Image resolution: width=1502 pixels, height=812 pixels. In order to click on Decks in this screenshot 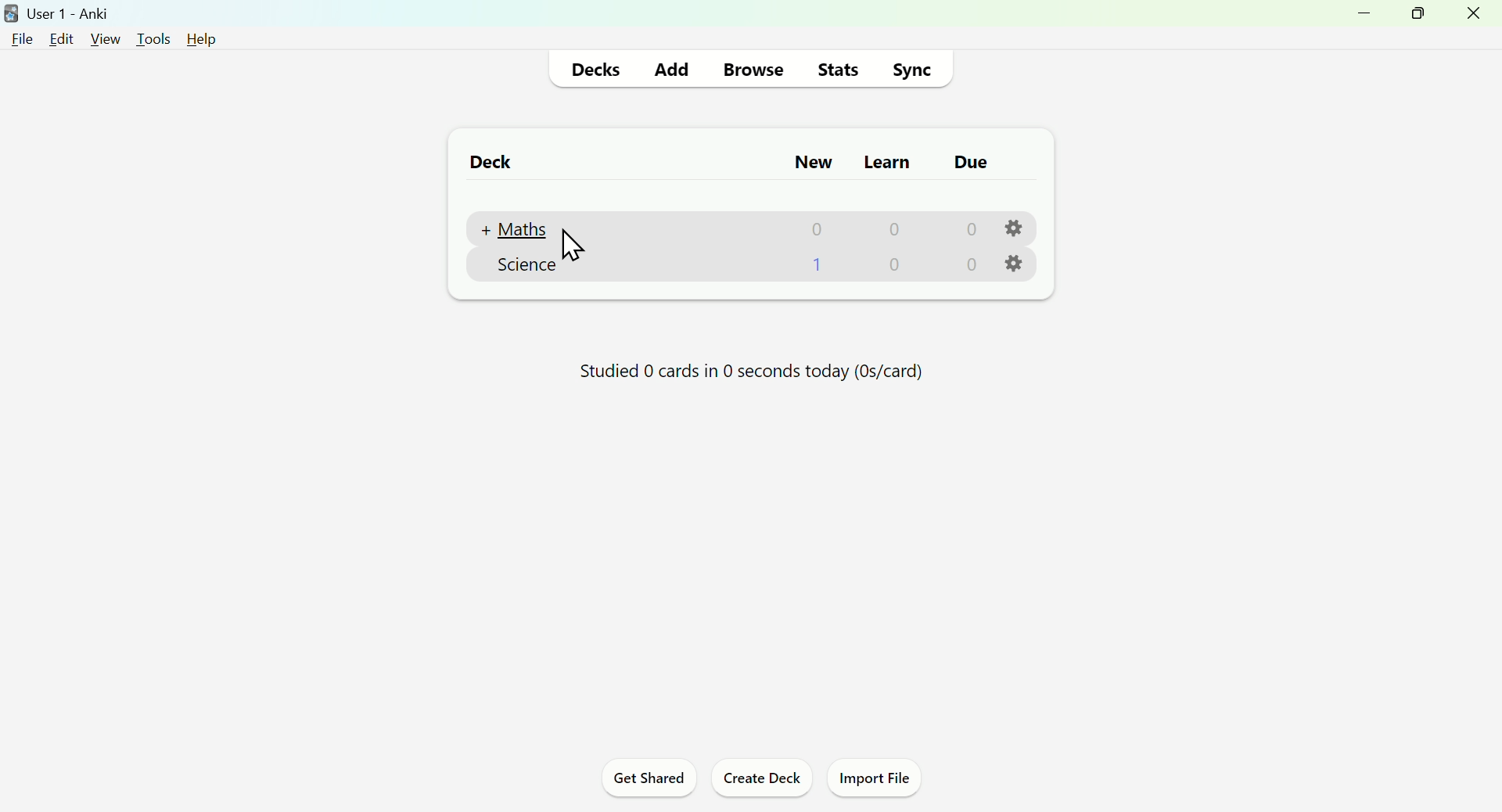, I will do `click(596, 70)`.